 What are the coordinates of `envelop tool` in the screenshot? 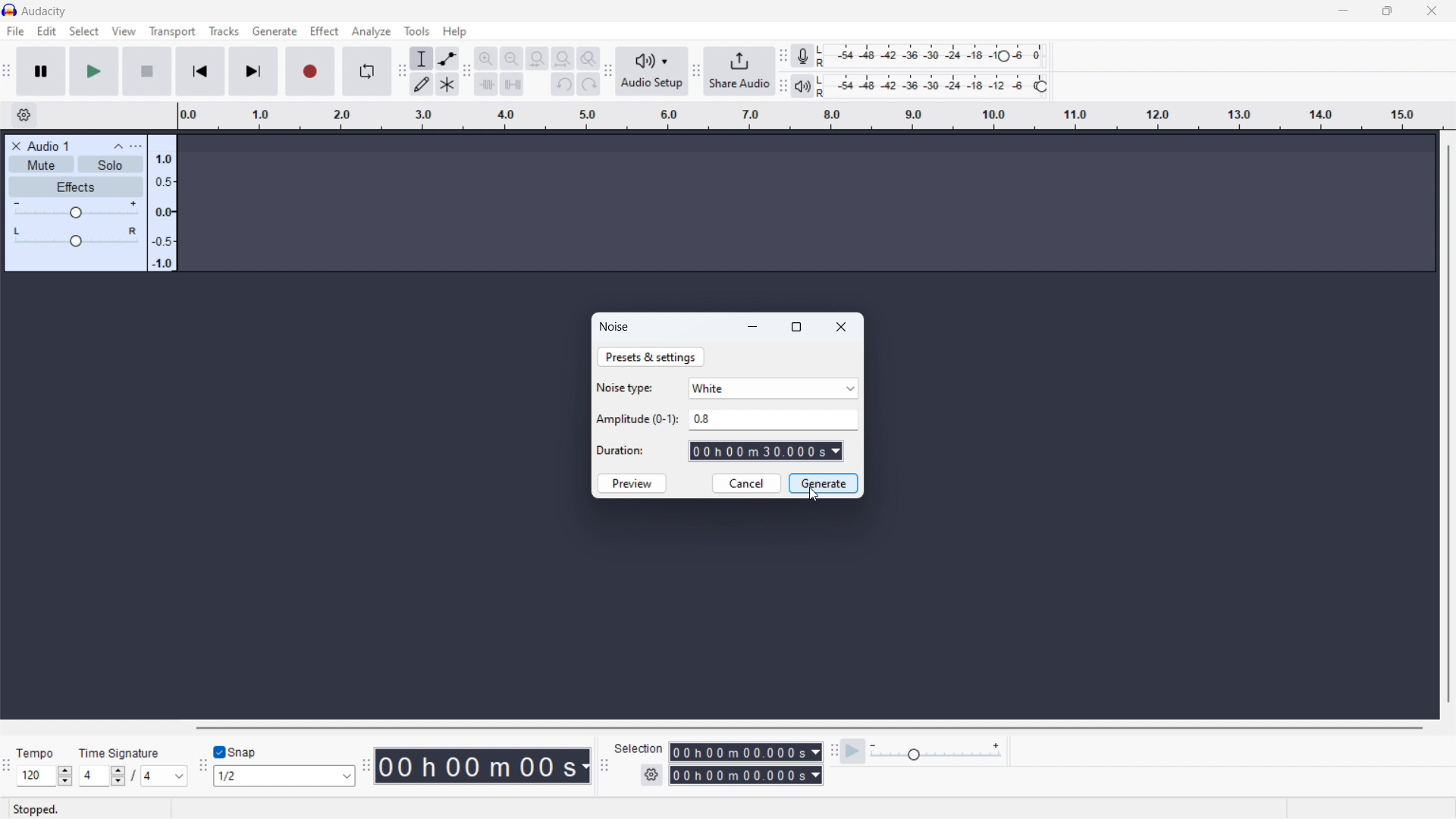 It's located at (448, 59).